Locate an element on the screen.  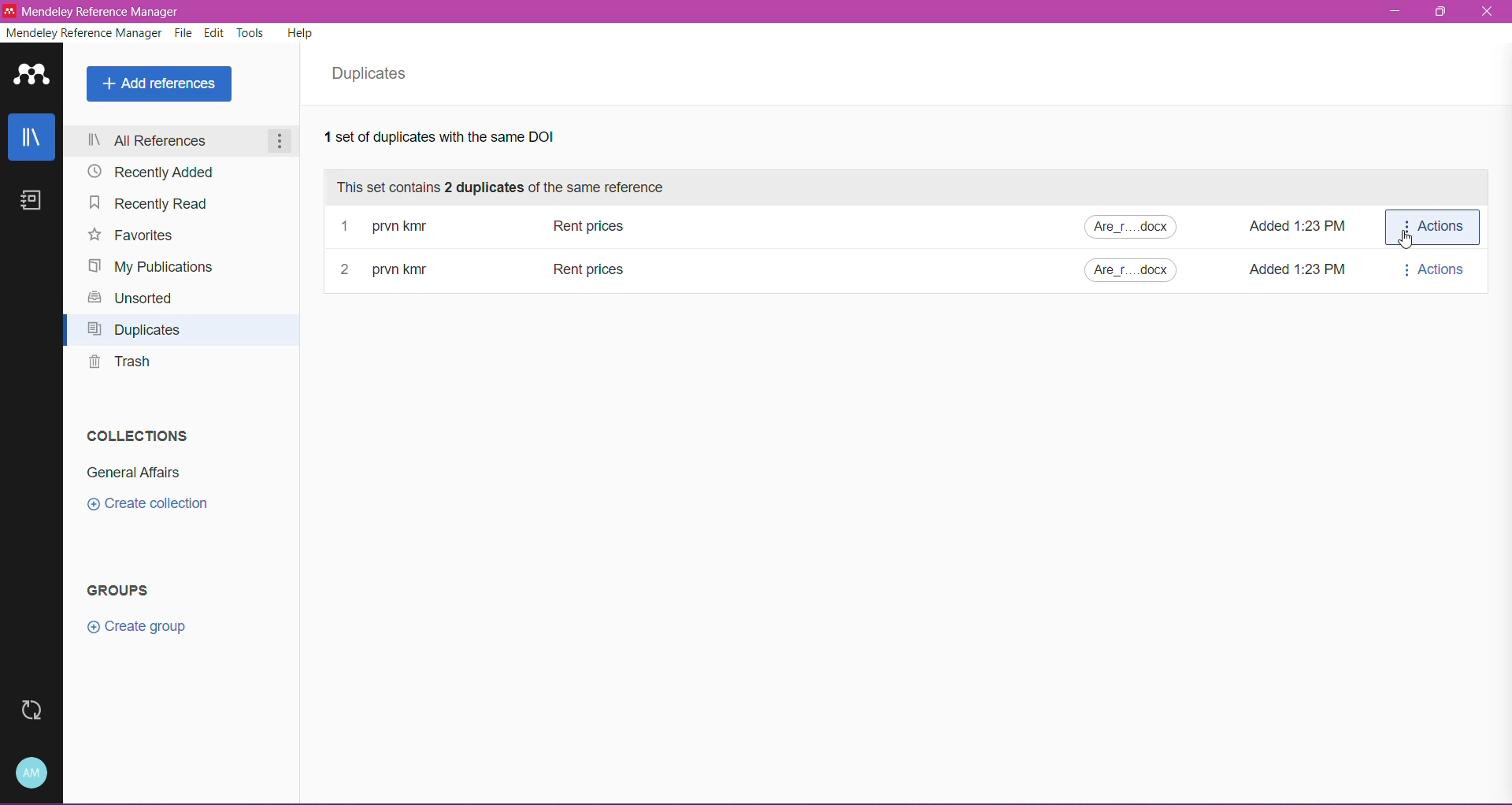
Author names is located at coordinates (439, 226).